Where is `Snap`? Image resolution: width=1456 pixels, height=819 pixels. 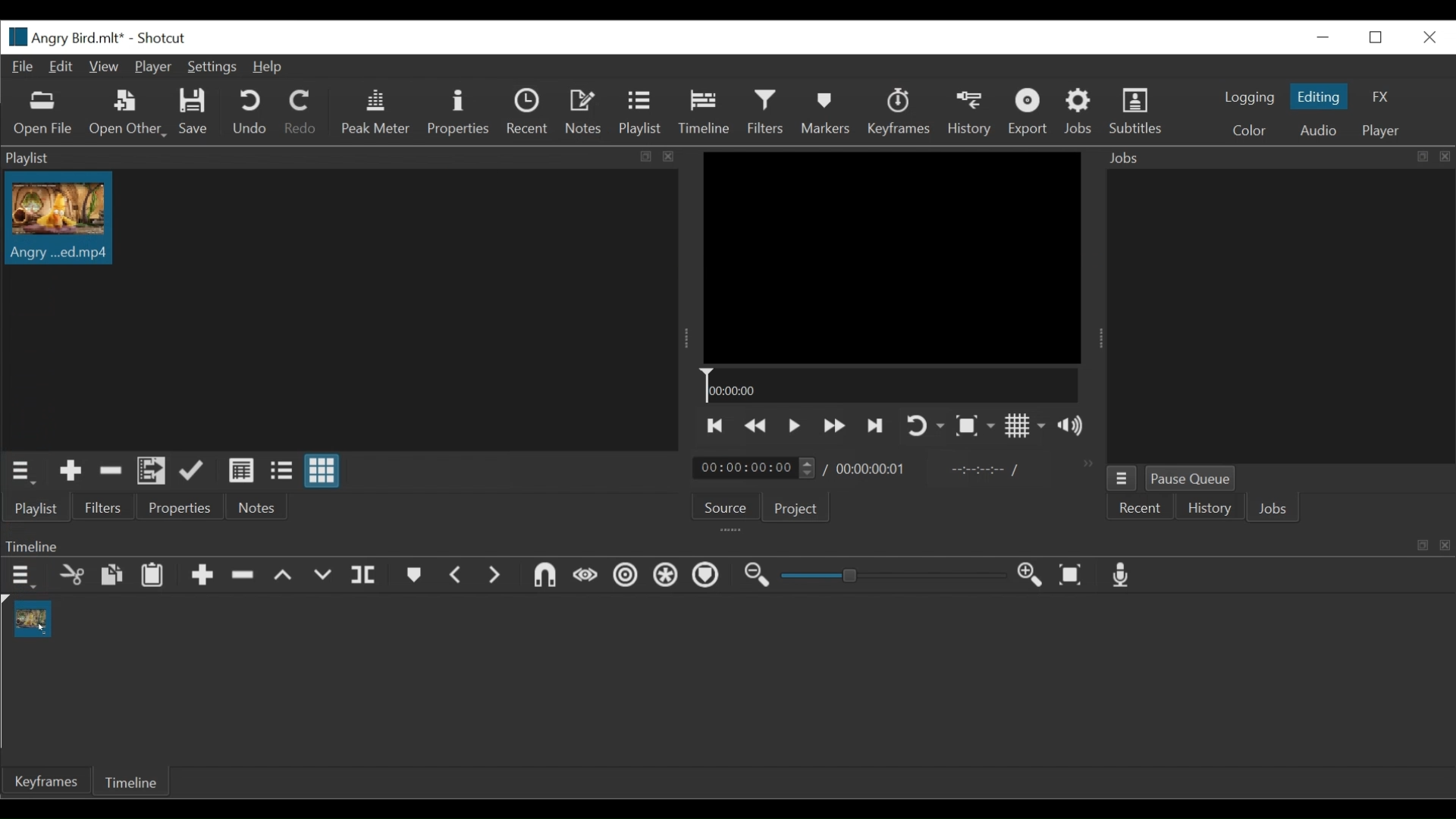 Snap is located at coordinates (664, 576).